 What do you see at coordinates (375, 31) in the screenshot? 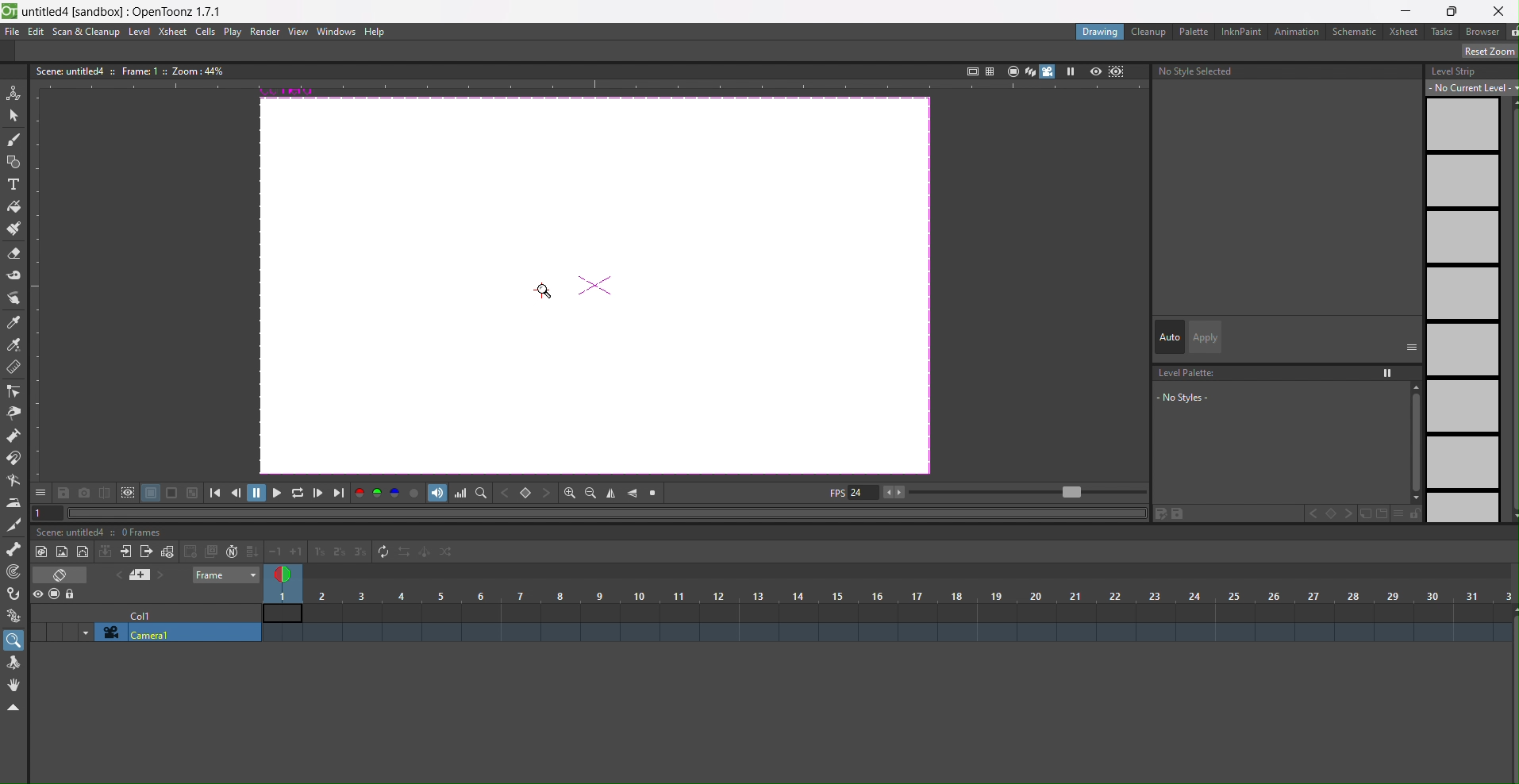
I see `help` at bounding box center [375, 31].